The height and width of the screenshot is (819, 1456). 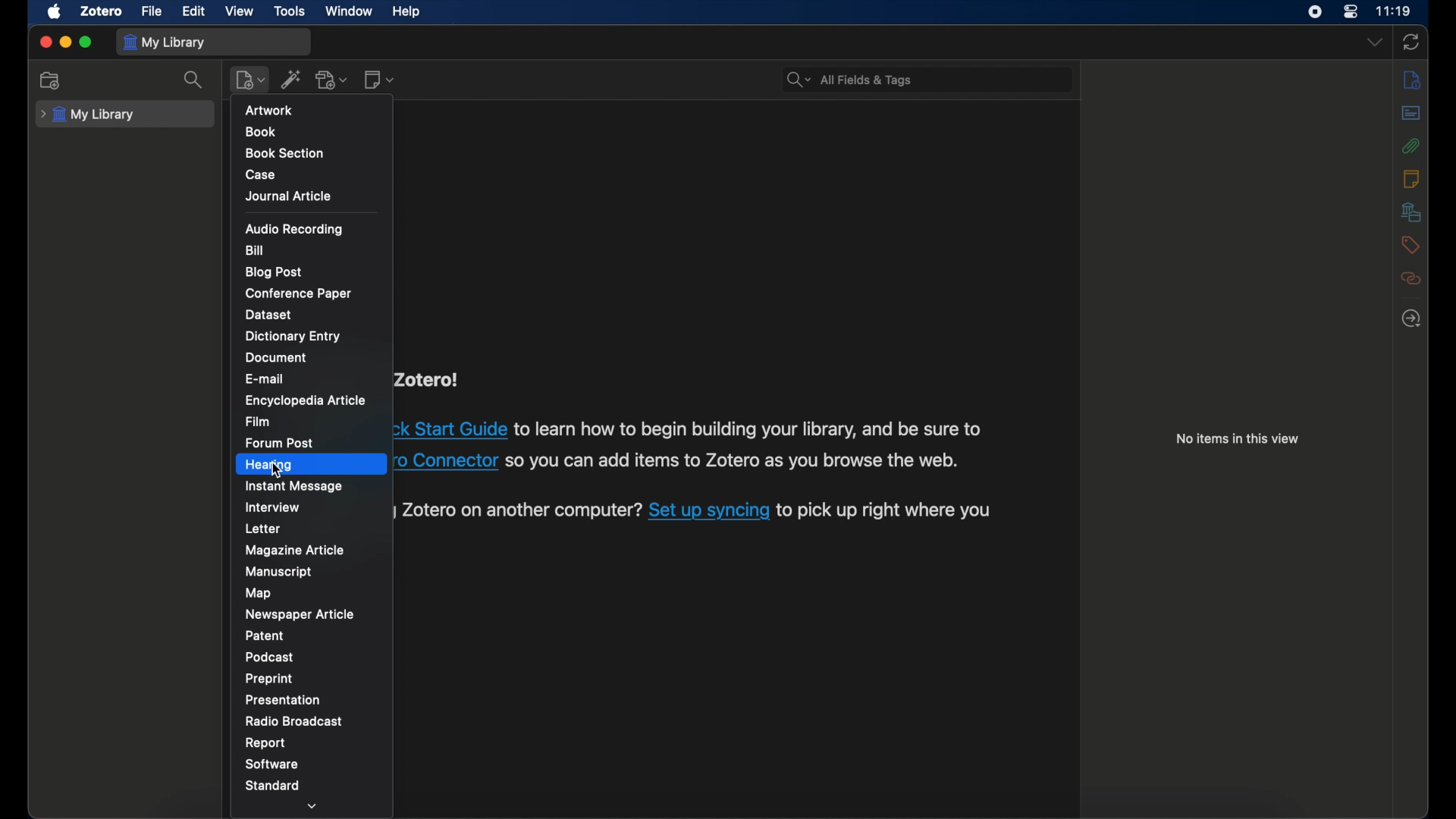 What do you see at coordinates (281, 471) in the screenshot?
I see `cursor` at bounding box center [281, 471].